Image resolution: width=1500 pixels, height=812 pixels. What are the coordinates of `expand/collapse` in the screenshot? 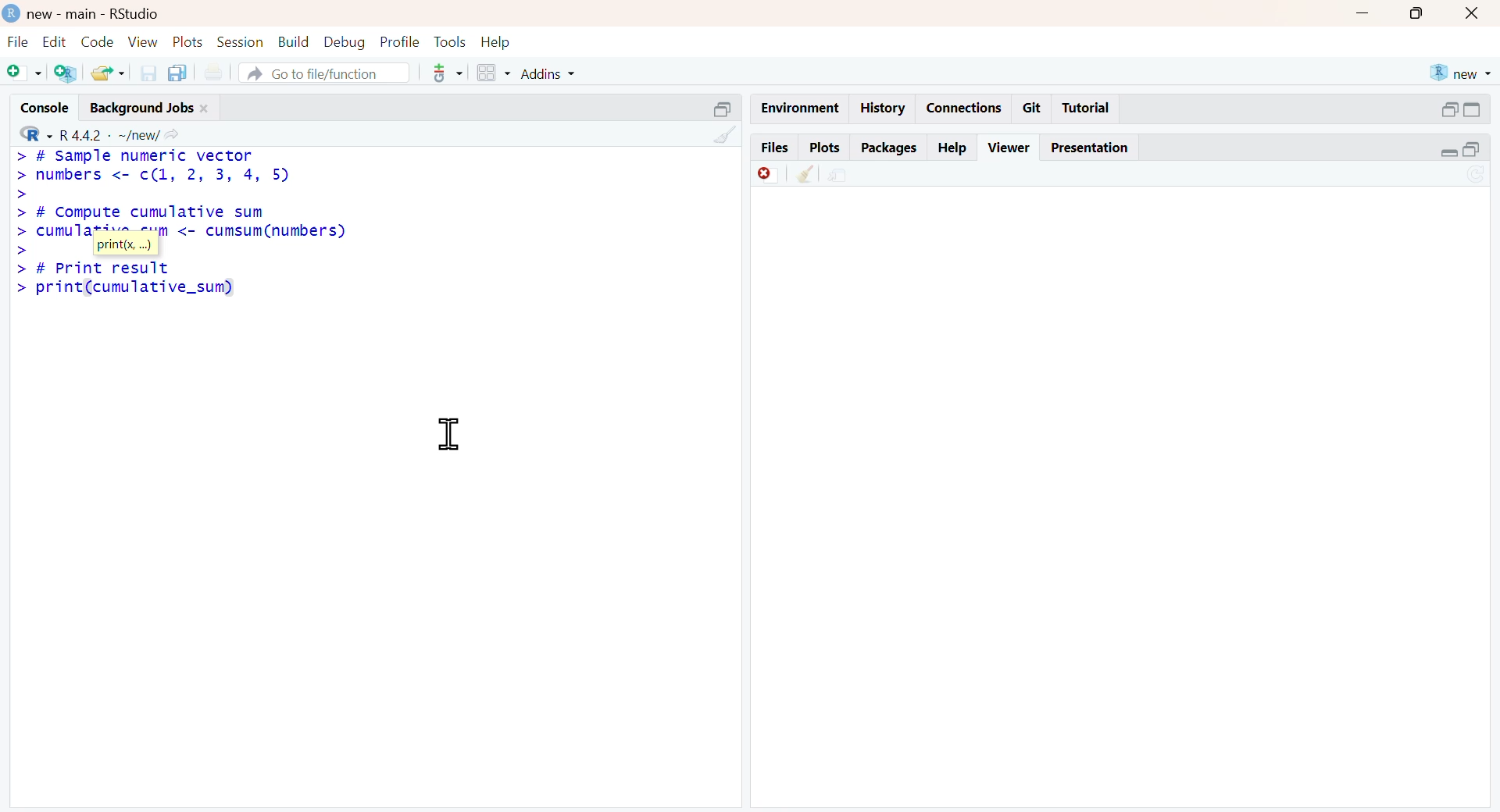 It's located at (1448, 152).